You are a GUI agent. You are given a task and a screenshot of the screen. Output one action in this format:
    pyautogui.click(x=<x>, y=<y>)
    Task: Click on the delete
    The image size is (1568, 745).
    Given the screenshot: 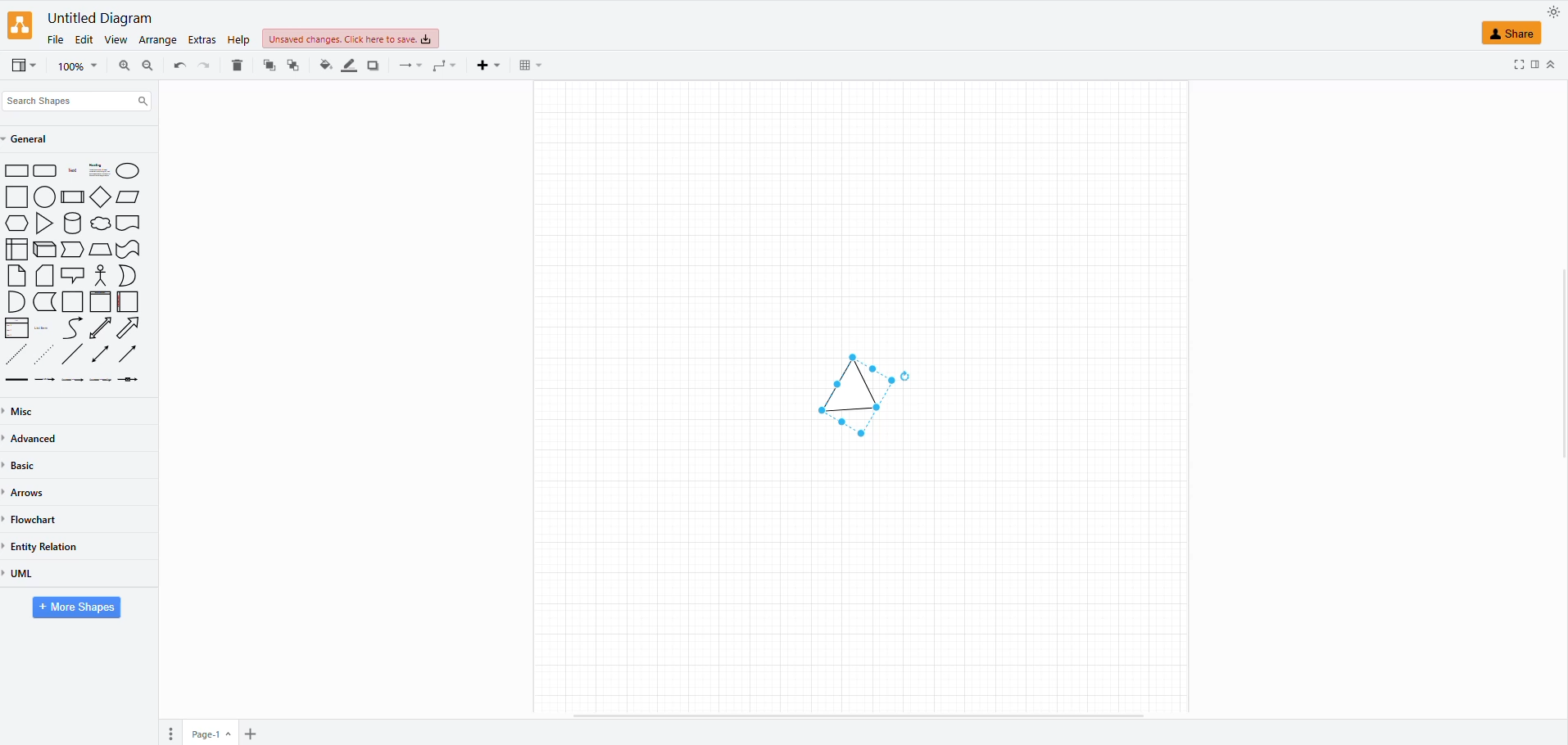 What is the action you would take?
    pyautogui.click(x=238, y=61)
    